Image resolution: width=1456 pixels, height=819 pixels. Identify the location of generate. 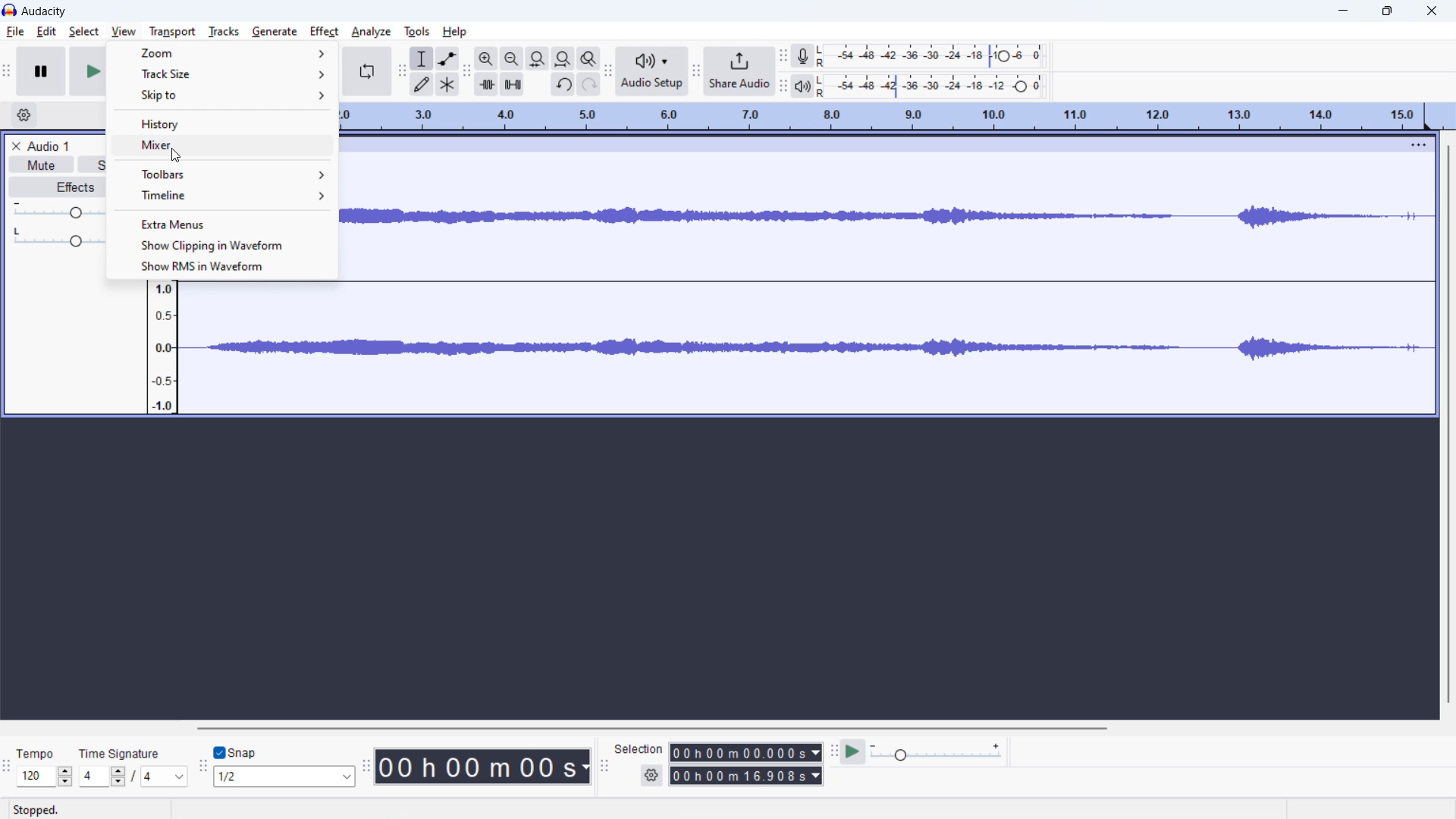
(275, 31).